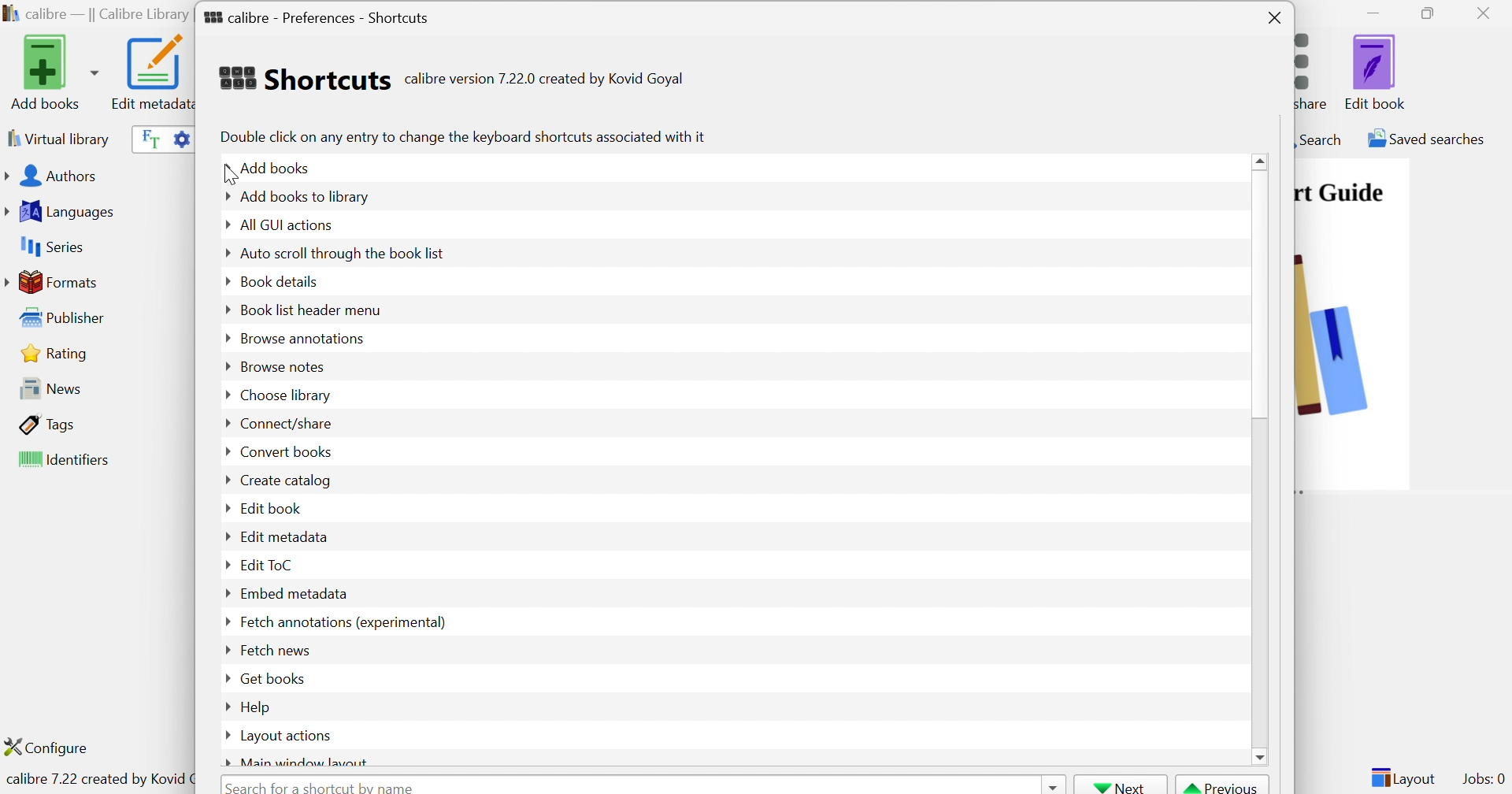  I want to click on Close, so click(1275, 19).